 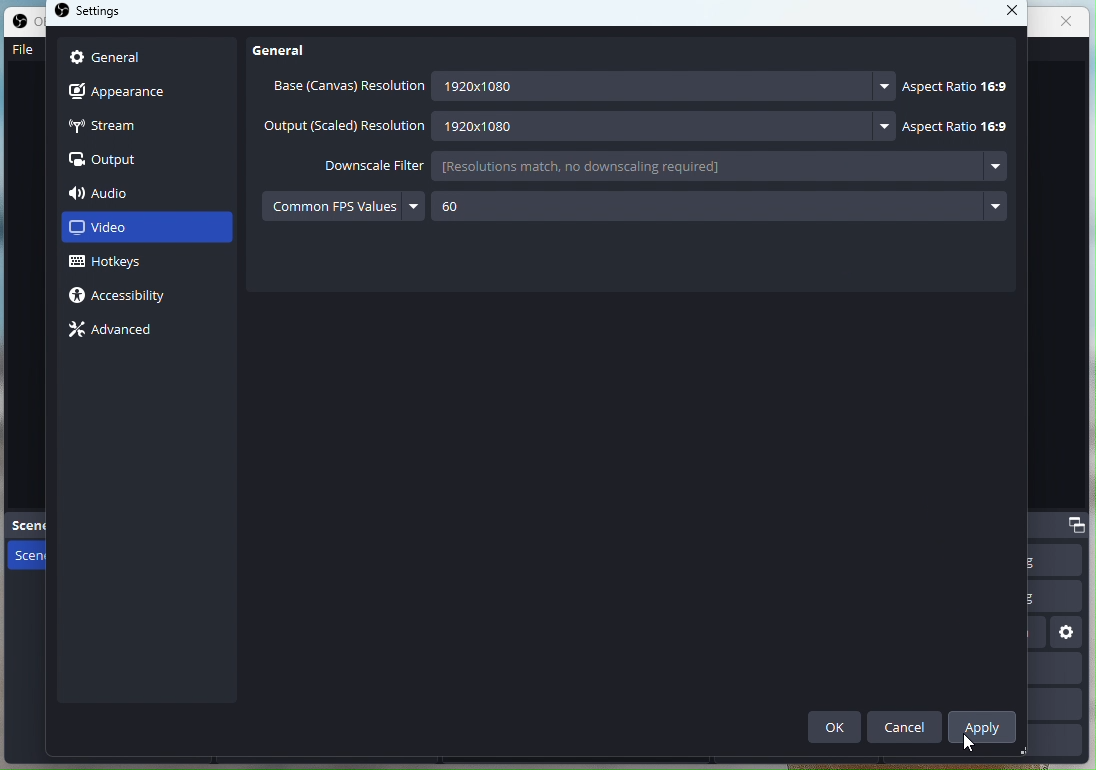 What do you see at coordinates (1068, 635) in the screenshot?
I see `settings` at bounding box center [1068, 635].